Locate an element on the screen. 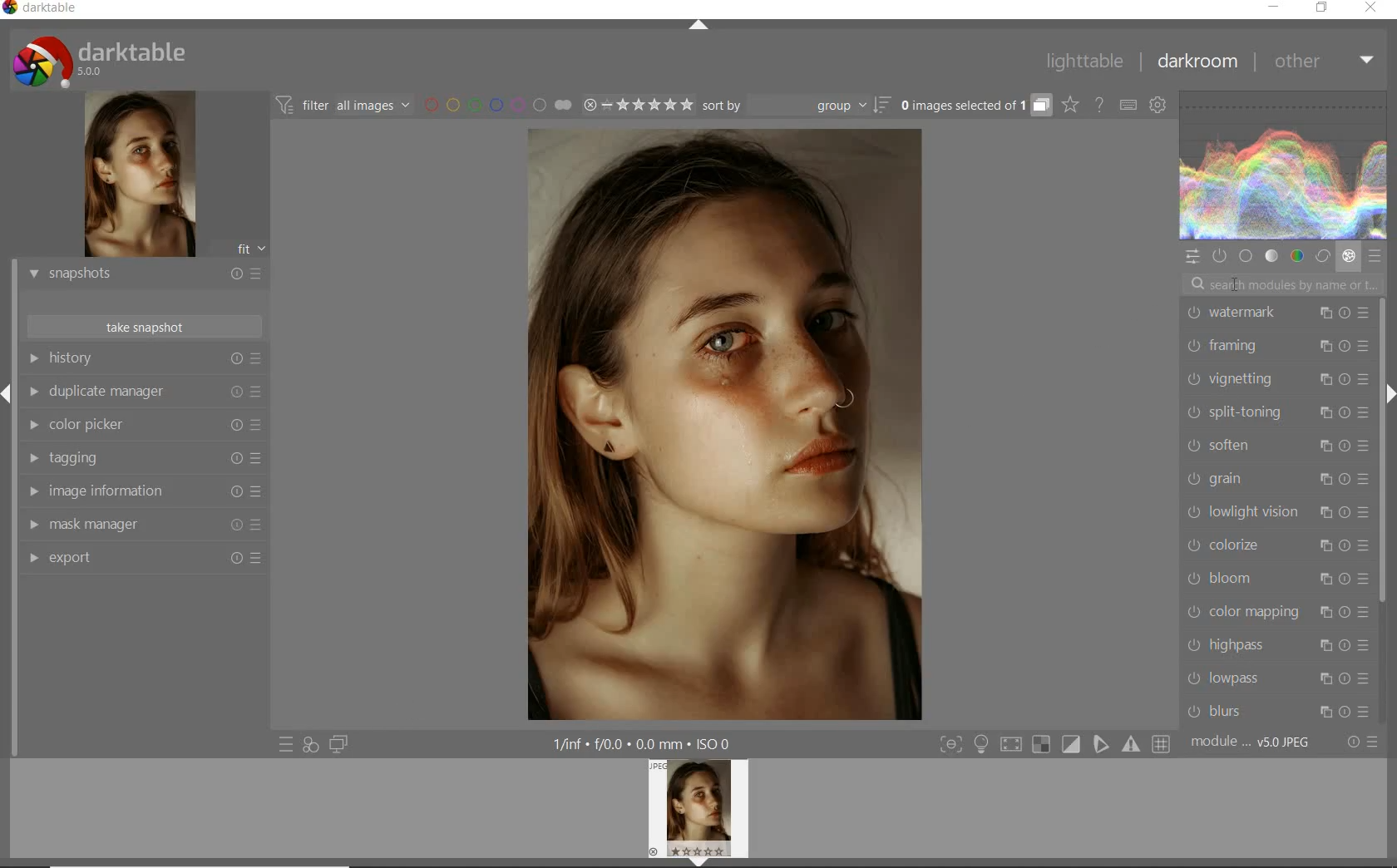  sort is located at coordinates (795, 106).